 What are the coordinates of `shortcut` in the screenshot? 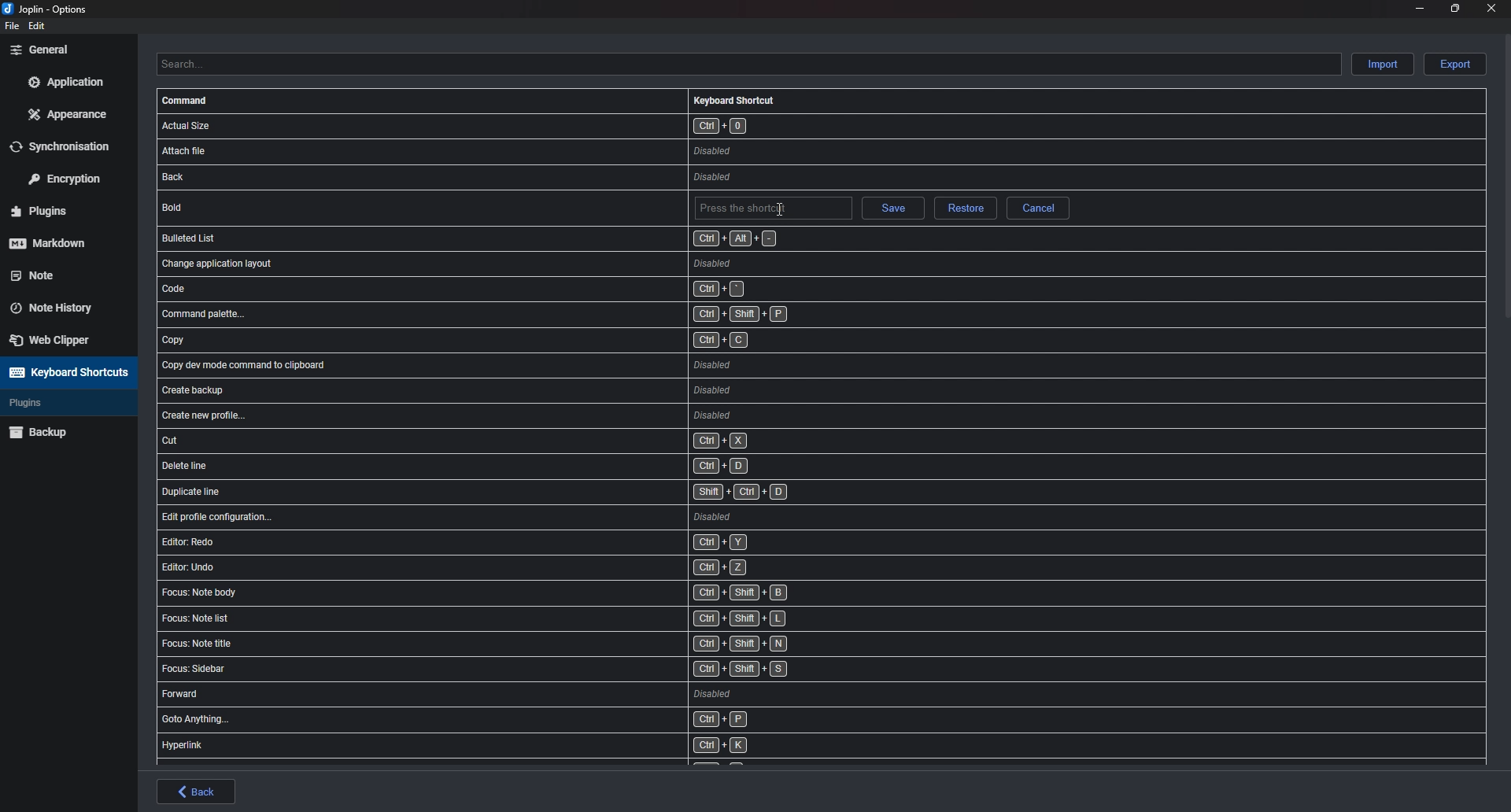 It's located at (520, 150).